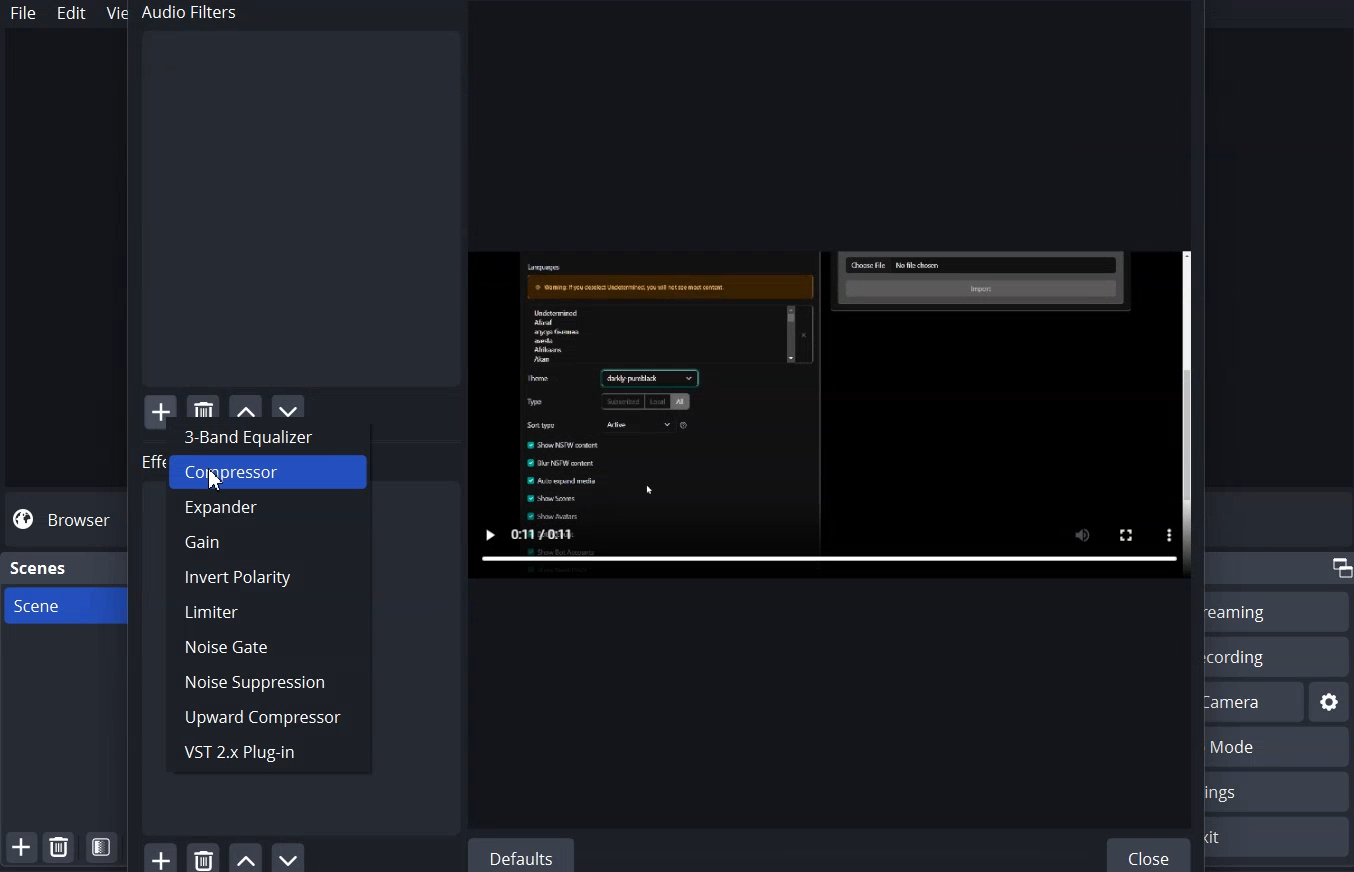 The height and width of the screenshot is (872, 1354). Describe the element at coordinates (160, 406) in the screenshot. I see `Add Filter` at that location.